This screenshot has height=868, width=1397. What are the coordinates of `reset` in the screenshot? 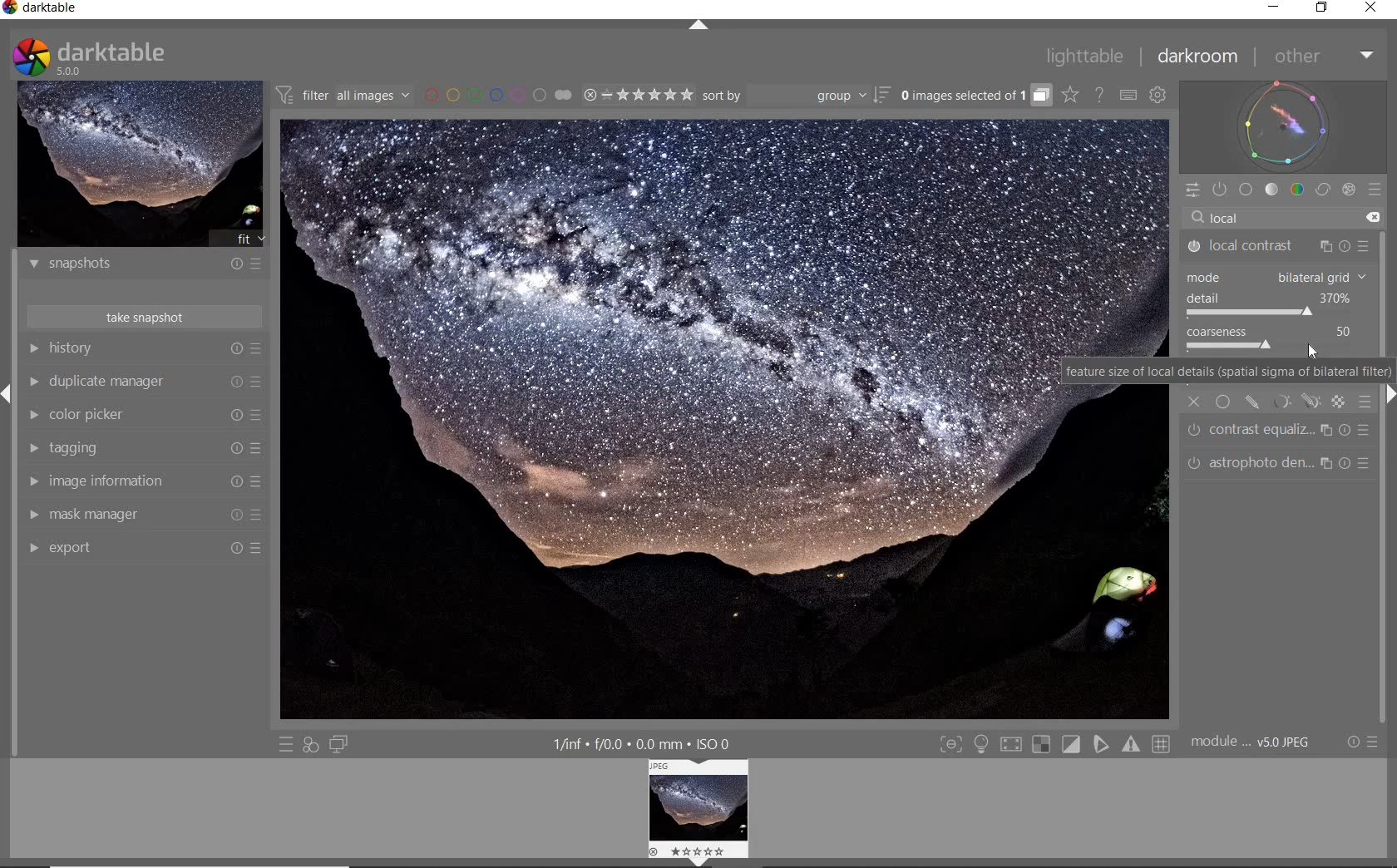 It's located at (235, 349).